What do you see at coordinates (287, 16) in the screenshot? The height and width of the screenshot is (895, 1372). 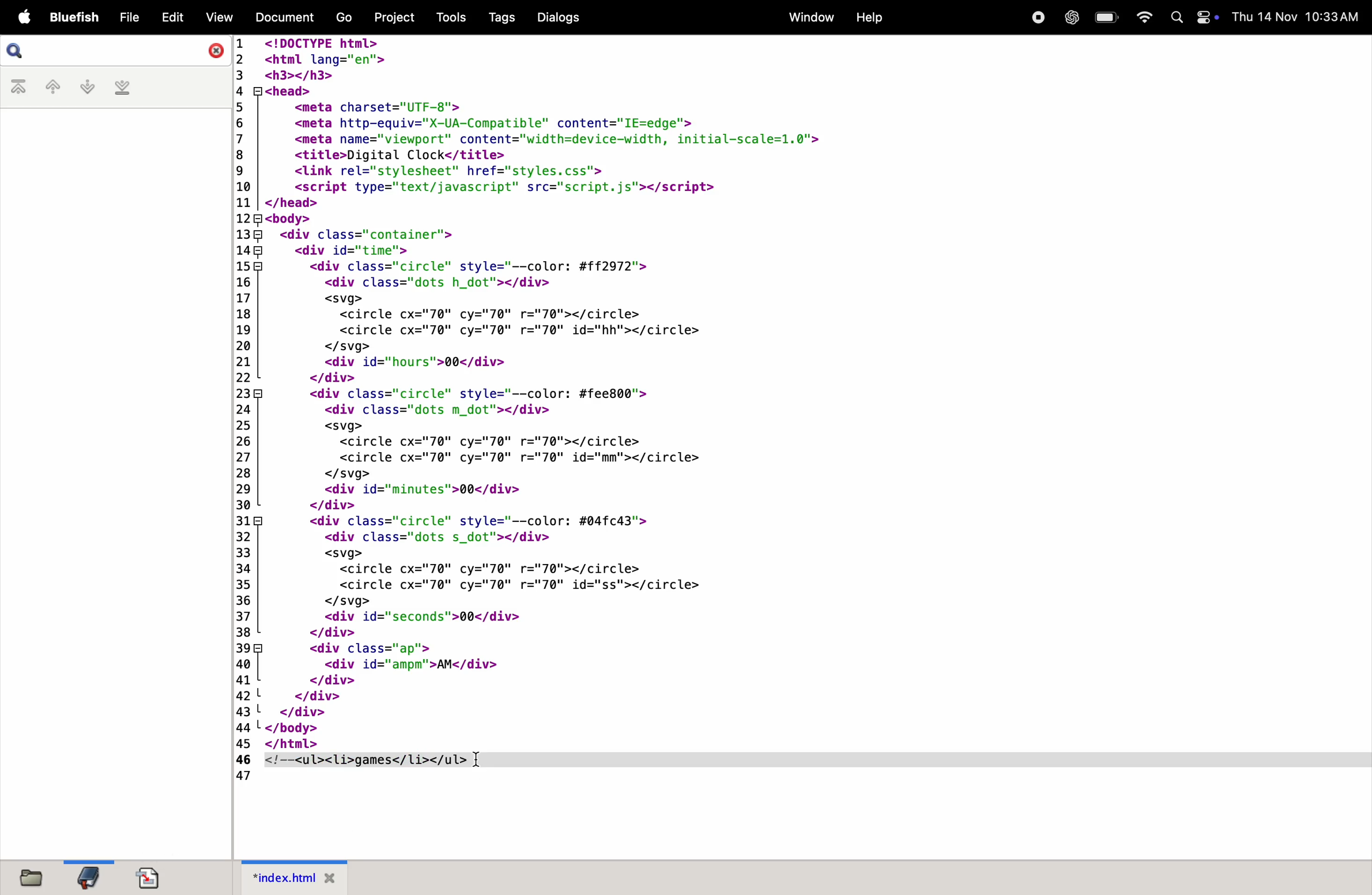 I see `Document` at bounding box center [287, 16].